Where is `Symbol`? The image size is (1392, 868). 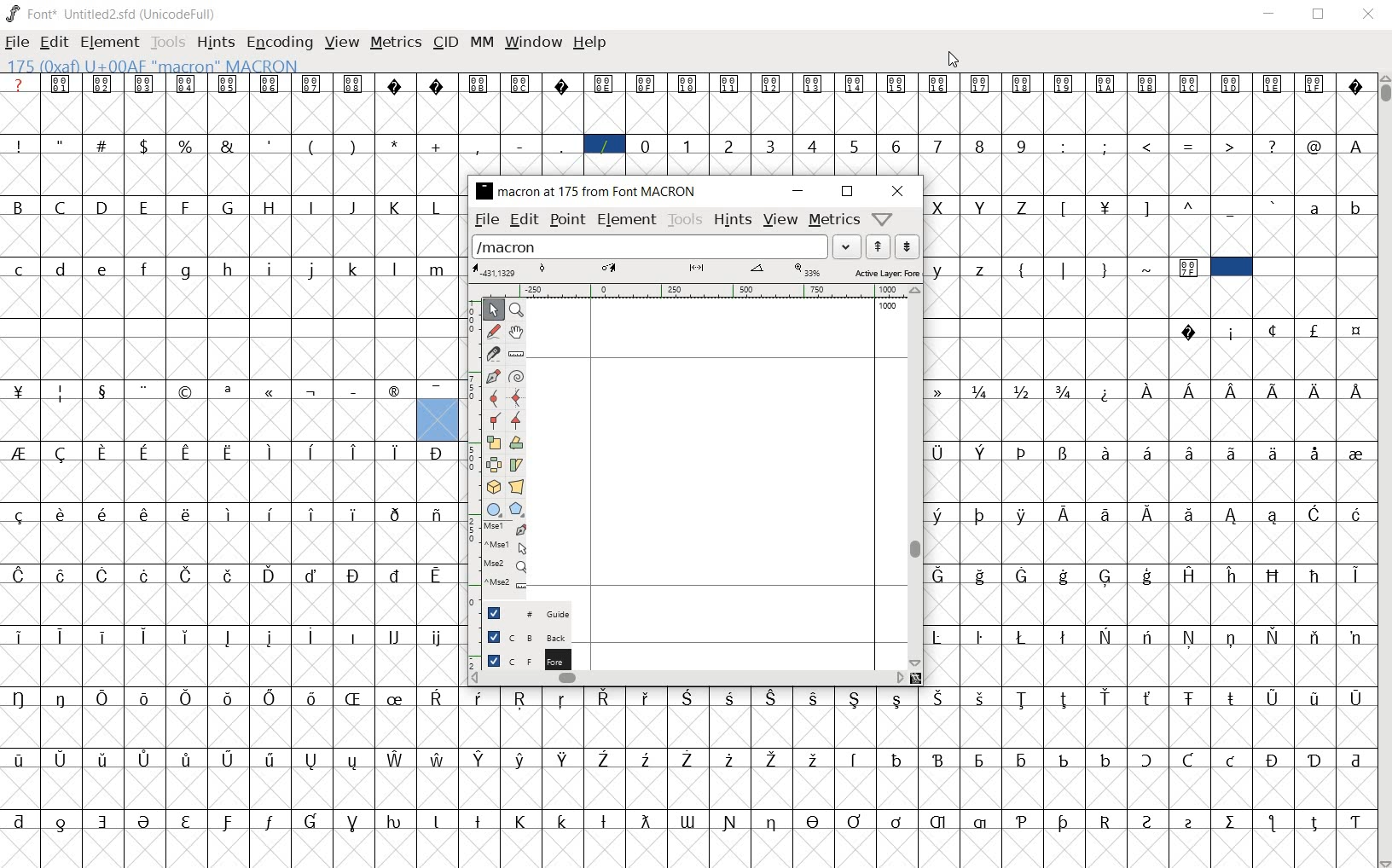 Symbol is located at coordinates (63, 513).